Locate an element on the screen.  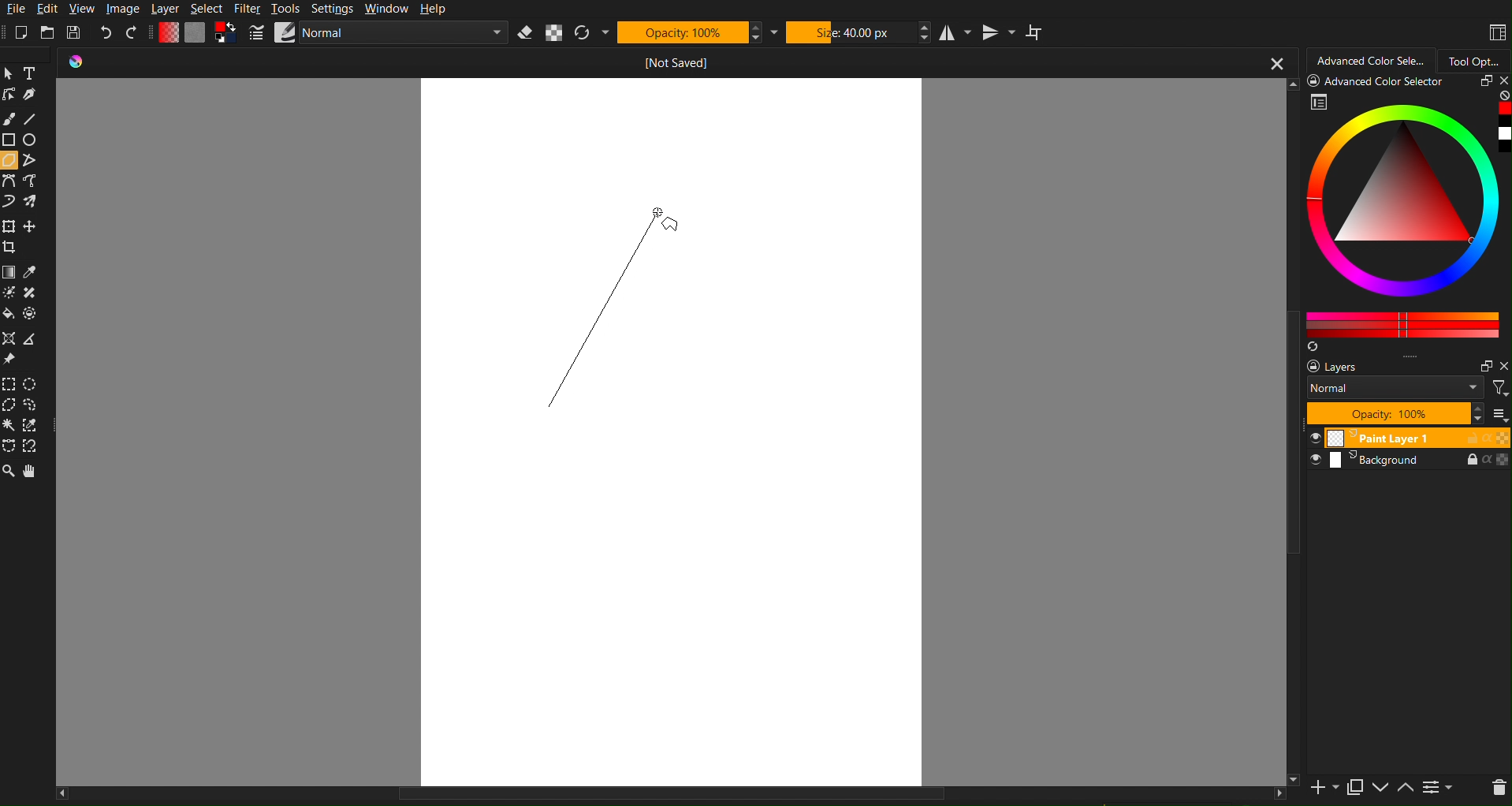
freehand path tool is located at coordinates (36, 181).